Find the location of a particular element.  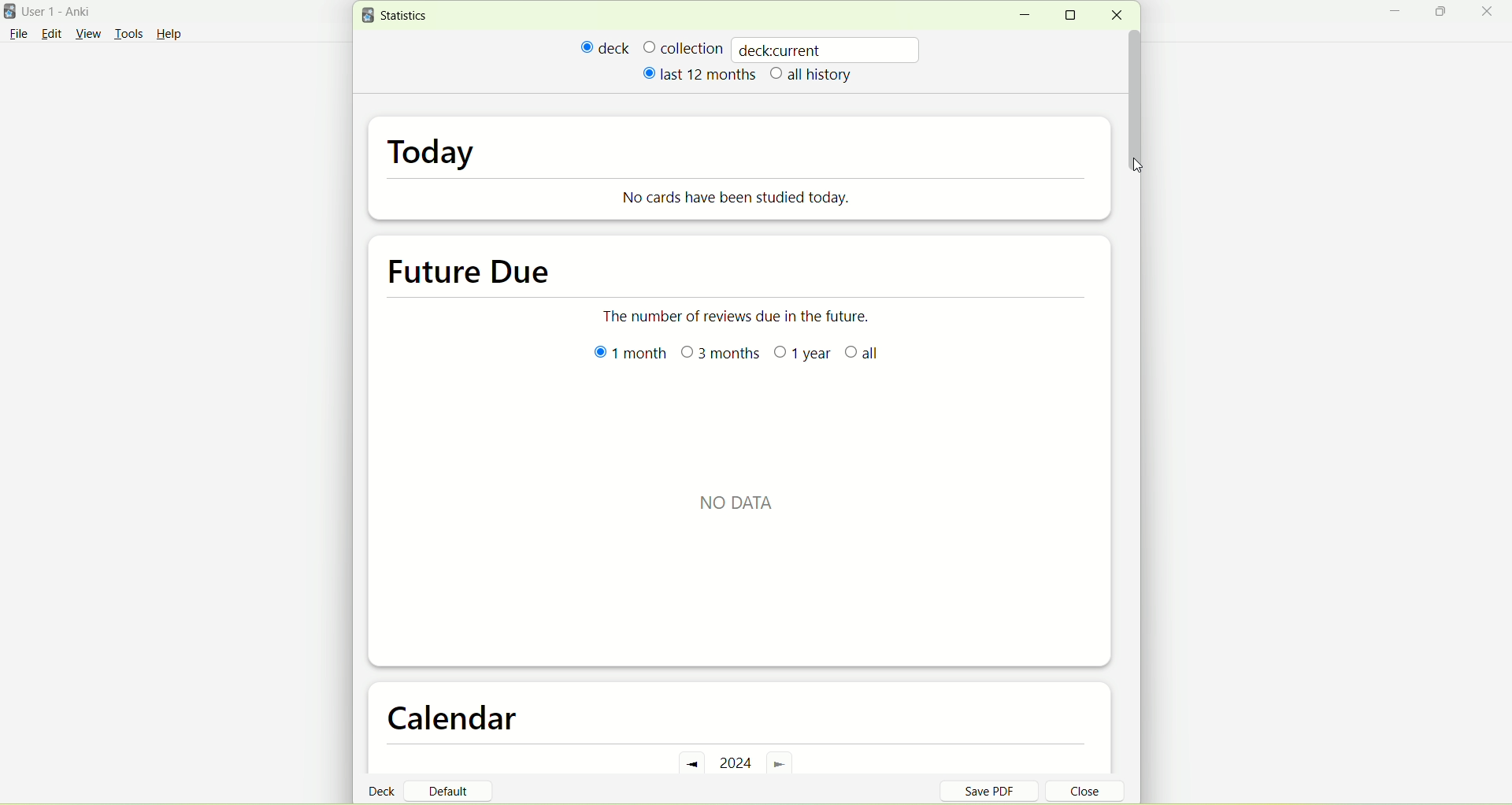

last 12 months is located at coordinates (698, 73).